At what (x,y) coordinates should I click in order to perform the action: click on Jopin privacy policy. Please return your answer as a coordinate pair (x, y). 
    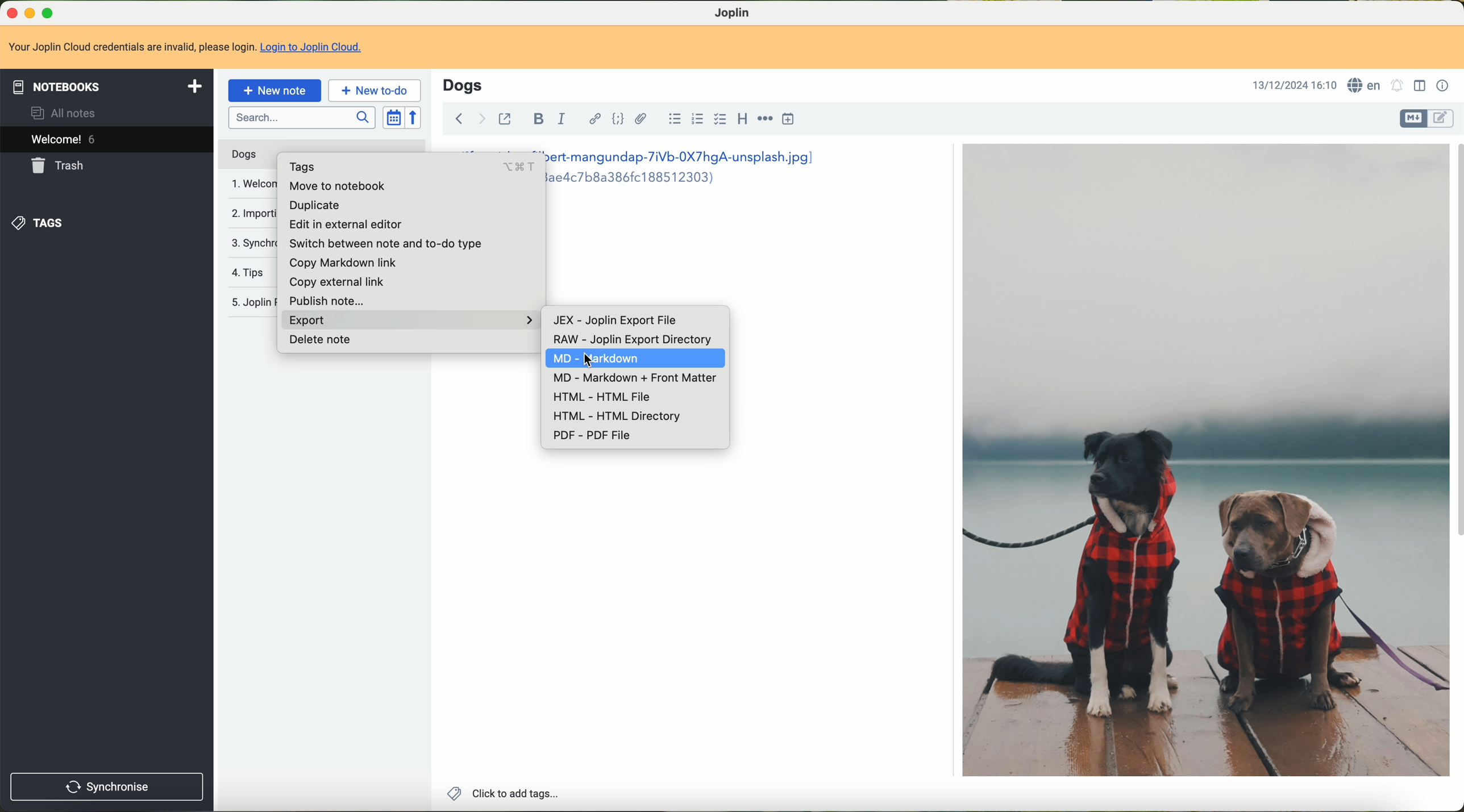
    Looking at the image, I should click on (249, 300).